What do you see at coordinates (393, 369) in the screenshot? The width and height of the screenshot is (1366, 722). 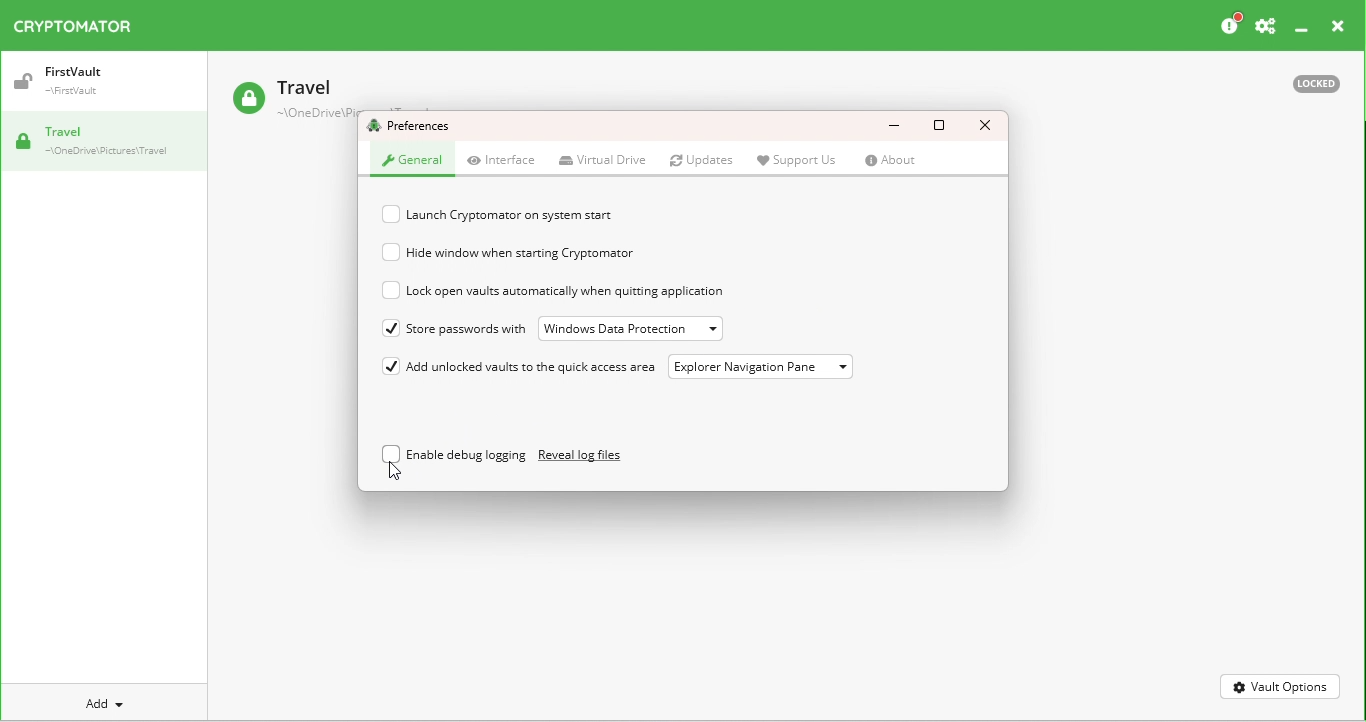 I see `checkbox` at bounding box center [393, 369].